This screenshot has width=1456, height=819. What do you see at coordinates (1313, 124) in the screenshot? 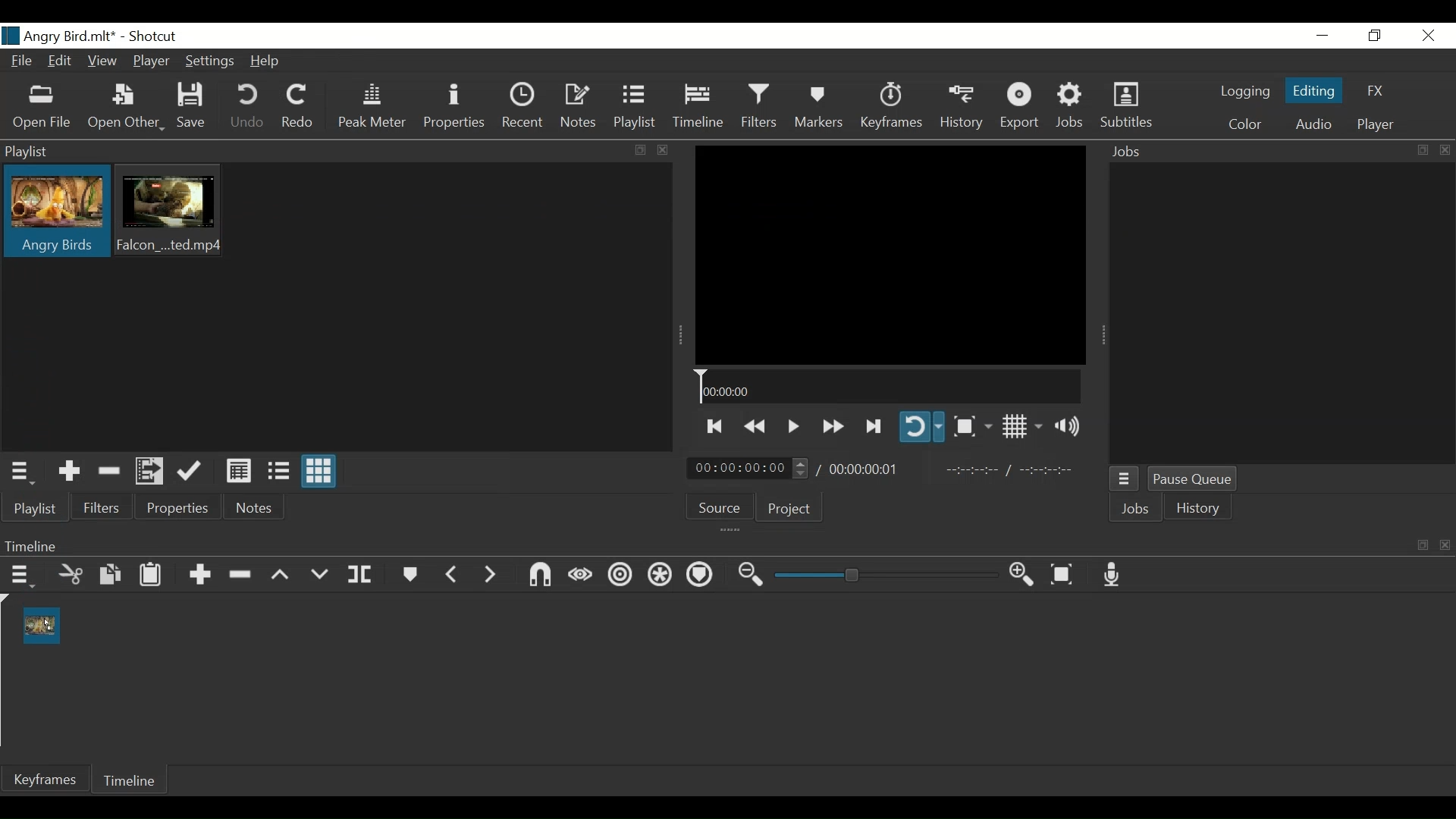
I see `Audio` at bounding box center [1313, 124].